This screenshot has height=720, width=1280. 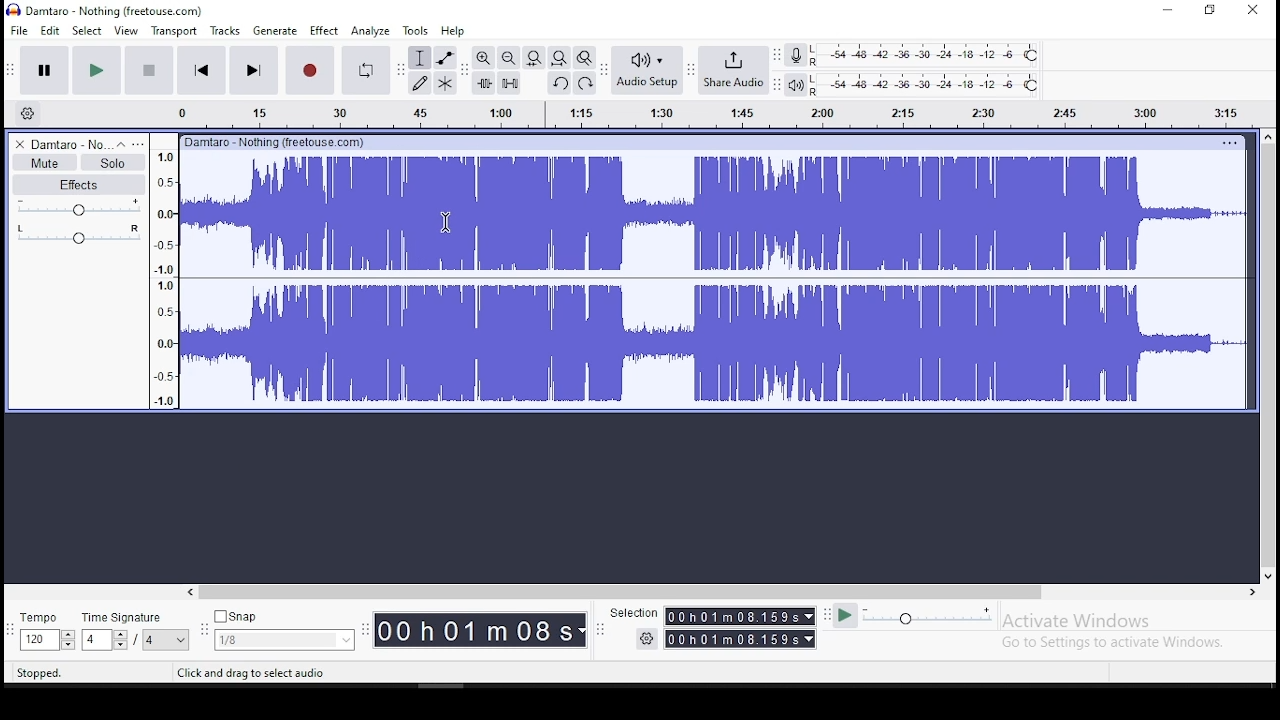 I want to click on 00 h01 mO08s, so click(x=473, y=631).